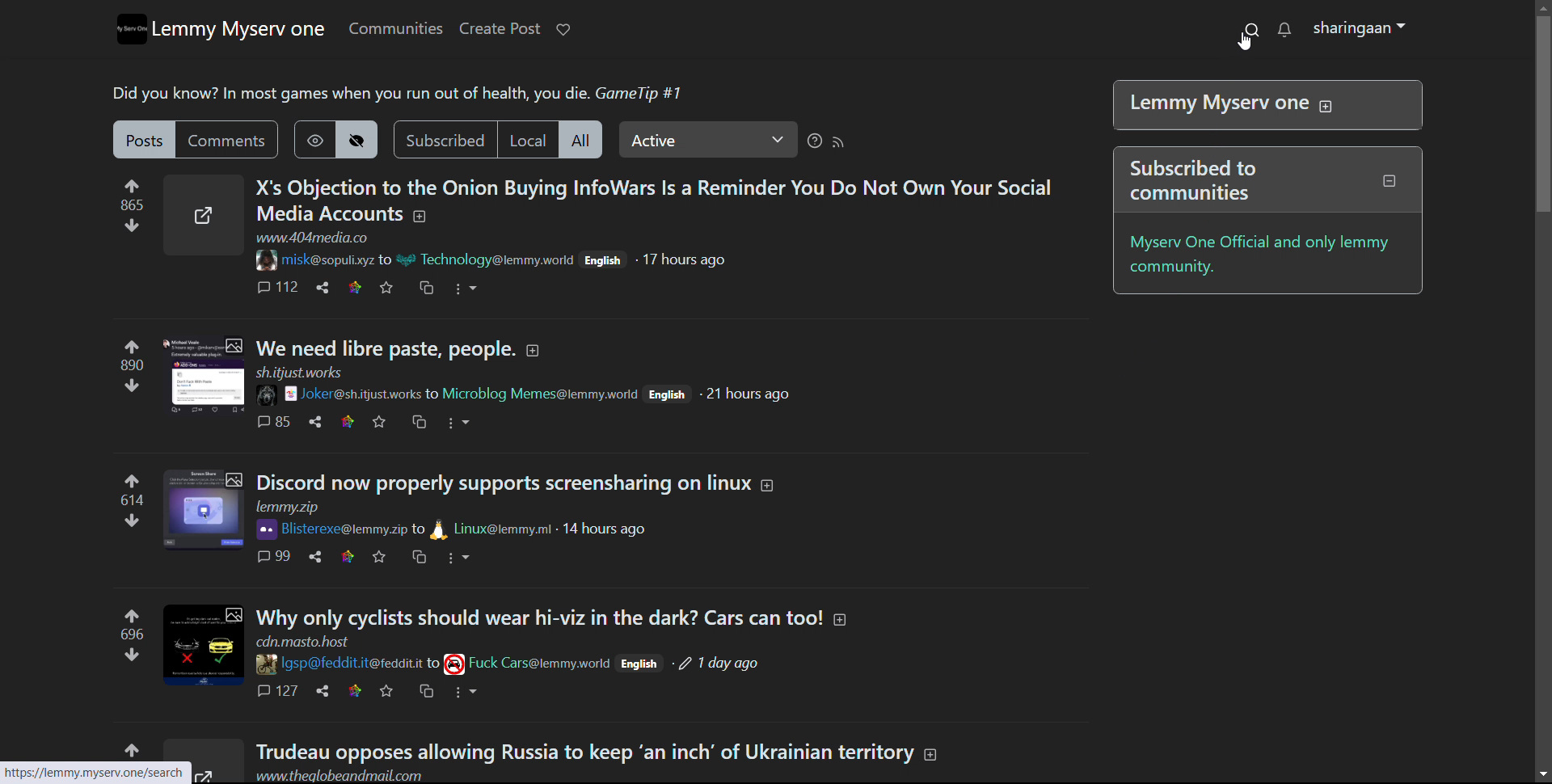  I want to click on Expand here, so click(217, 763).